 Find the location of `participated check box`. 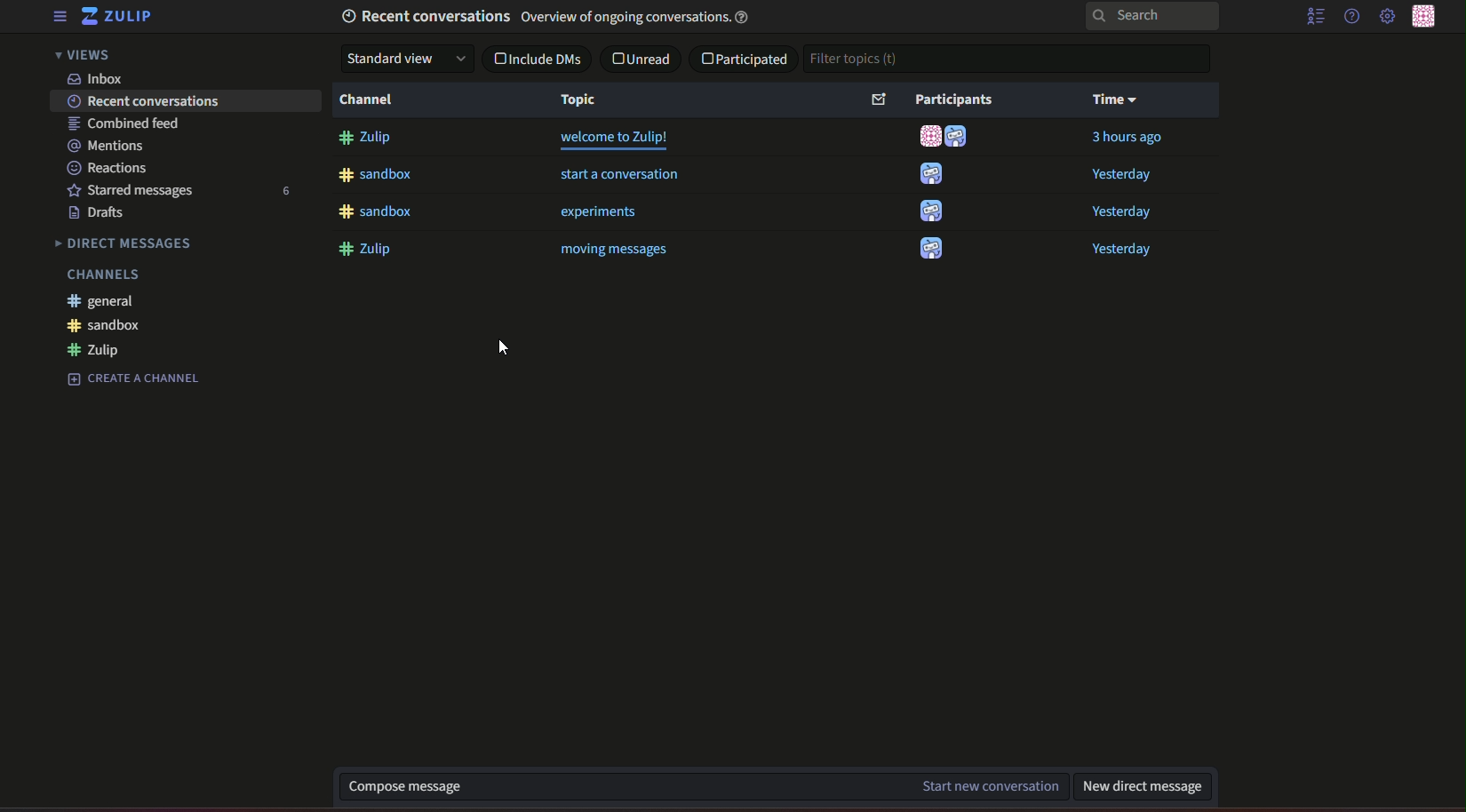

participated check box is located at coordinates (744, 60).